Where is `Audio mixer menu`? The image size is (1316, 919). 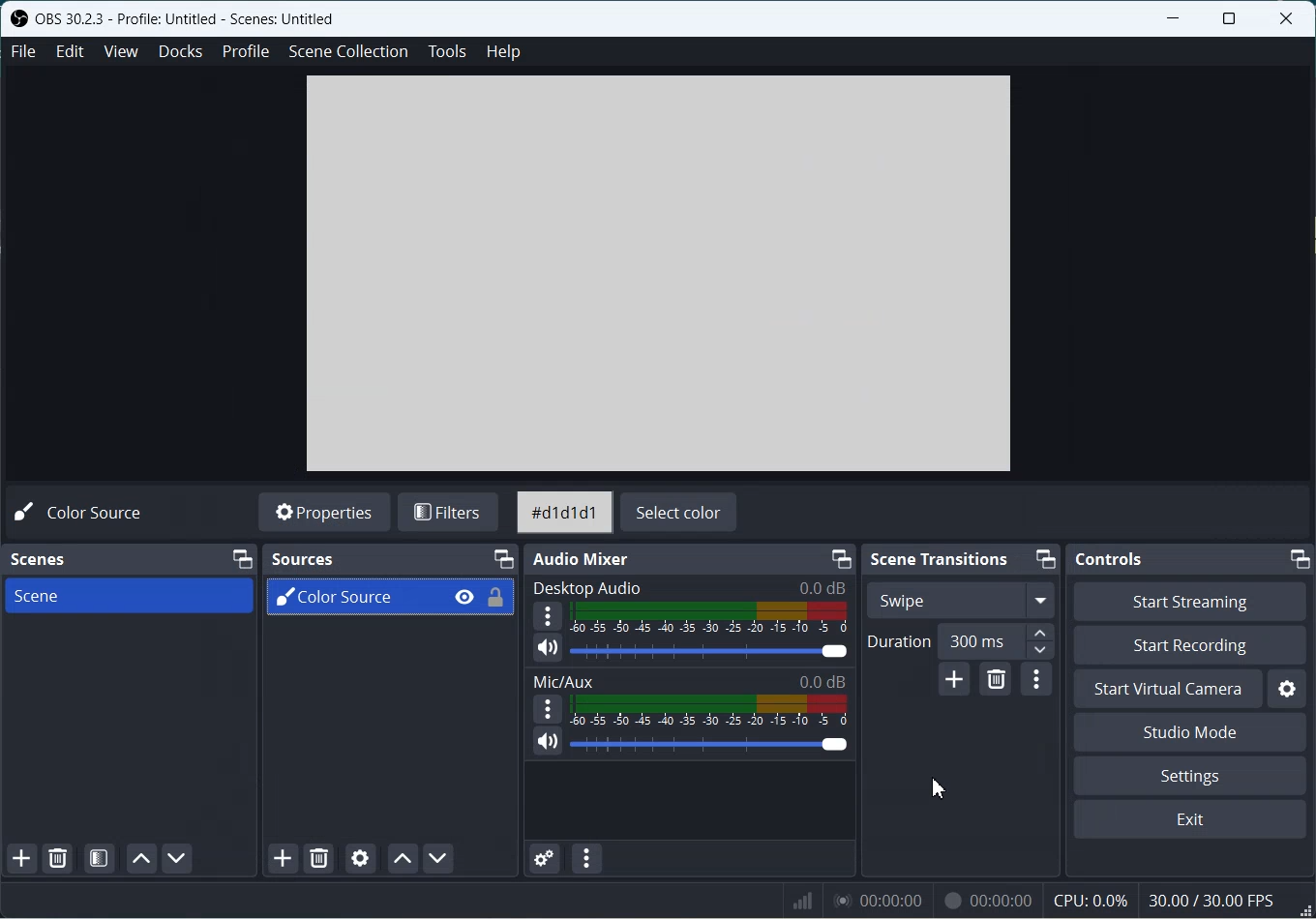
Audio mixer menu is located at coordinates (585, 858).